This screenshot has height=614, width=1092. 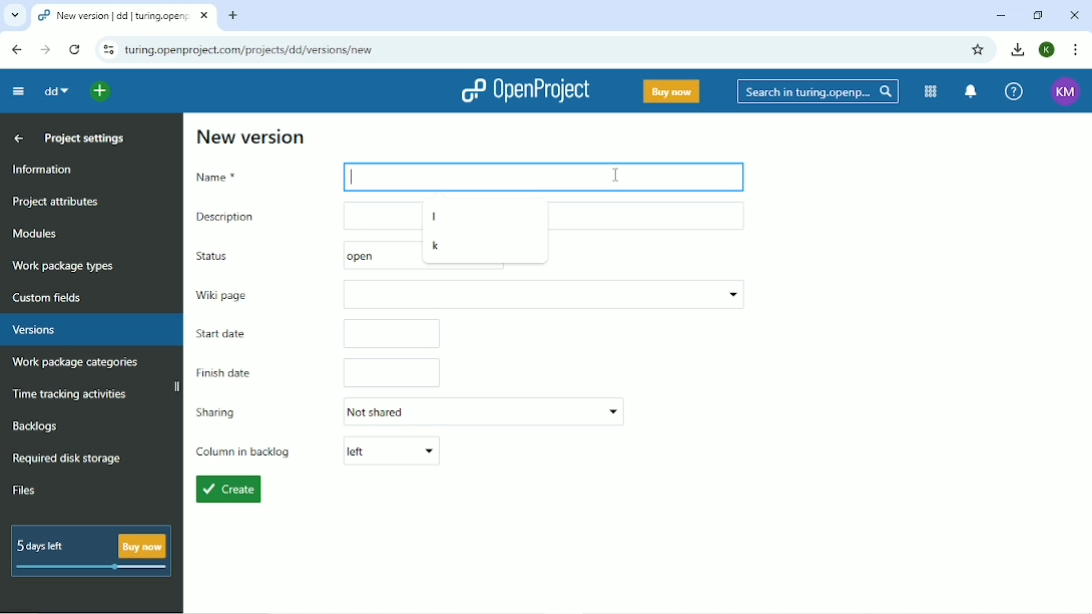 I want to click on Work package categories, so click(x=74, y=363).